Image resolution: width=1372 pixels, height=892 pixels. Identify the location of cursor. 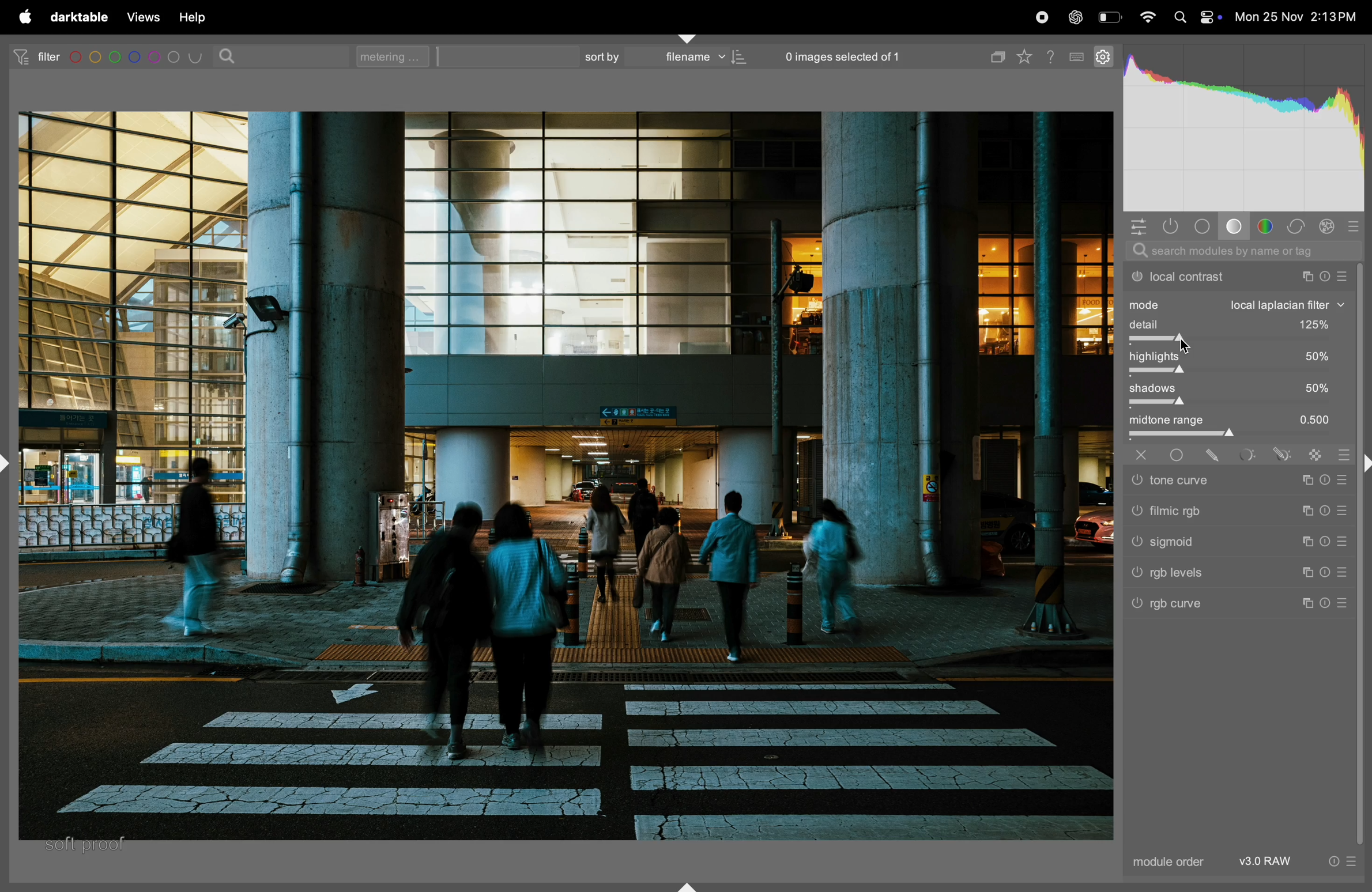
(1189, 346).